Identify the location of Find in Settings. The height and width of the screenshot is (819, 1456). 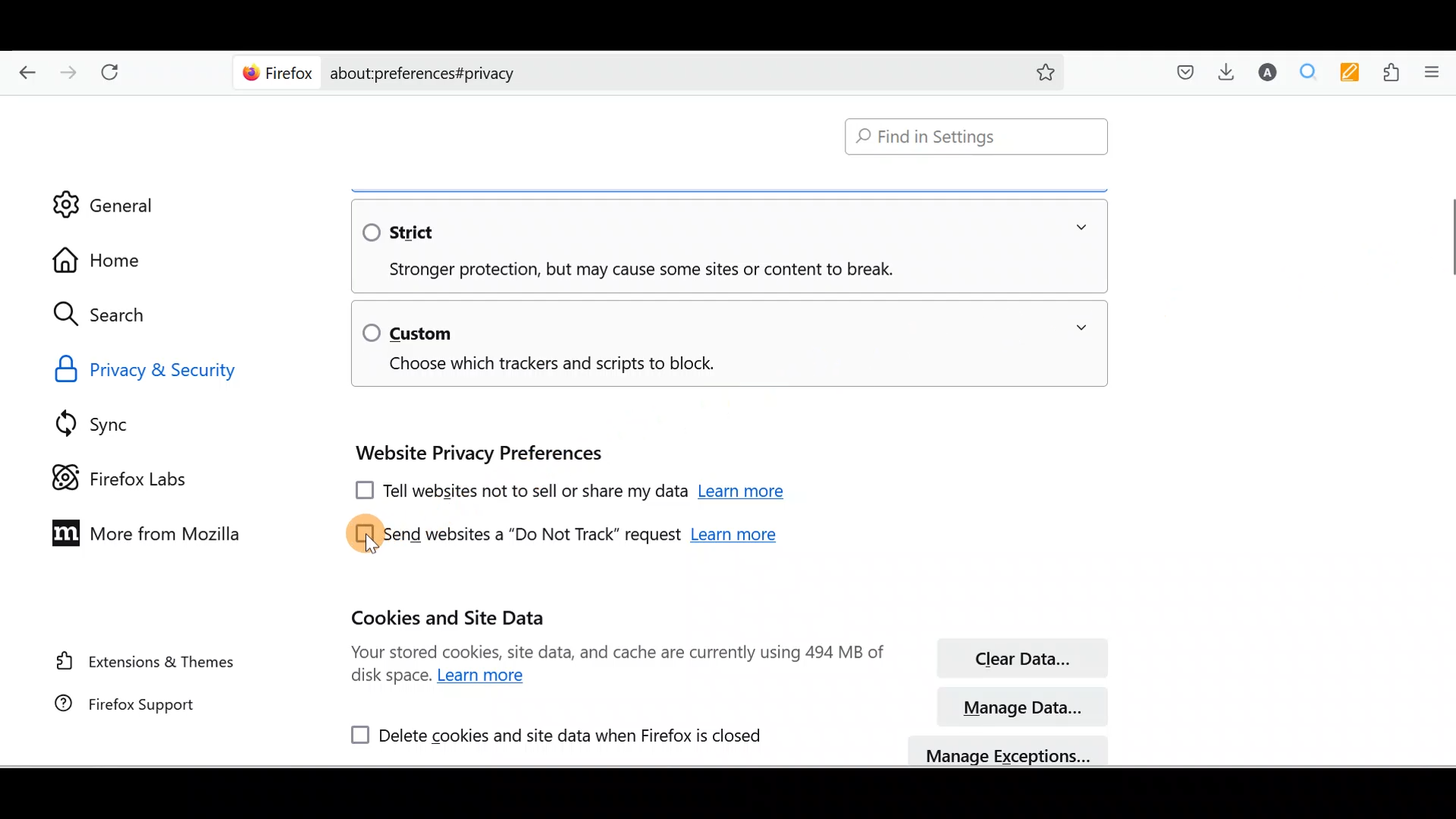
(978, 135).